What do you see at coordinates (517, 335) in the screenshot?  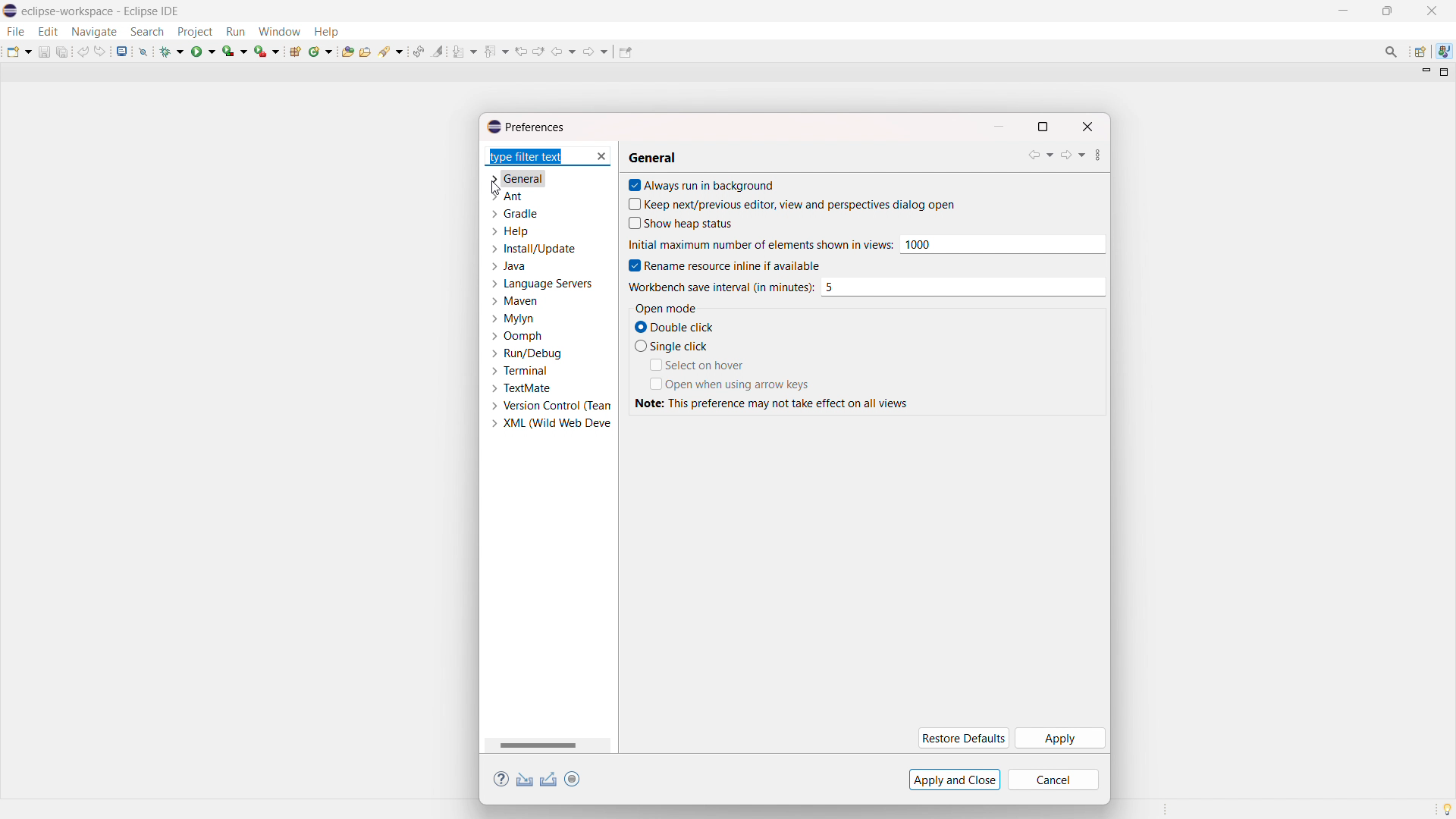 I see `oomph` at bounding box center [517, 335].